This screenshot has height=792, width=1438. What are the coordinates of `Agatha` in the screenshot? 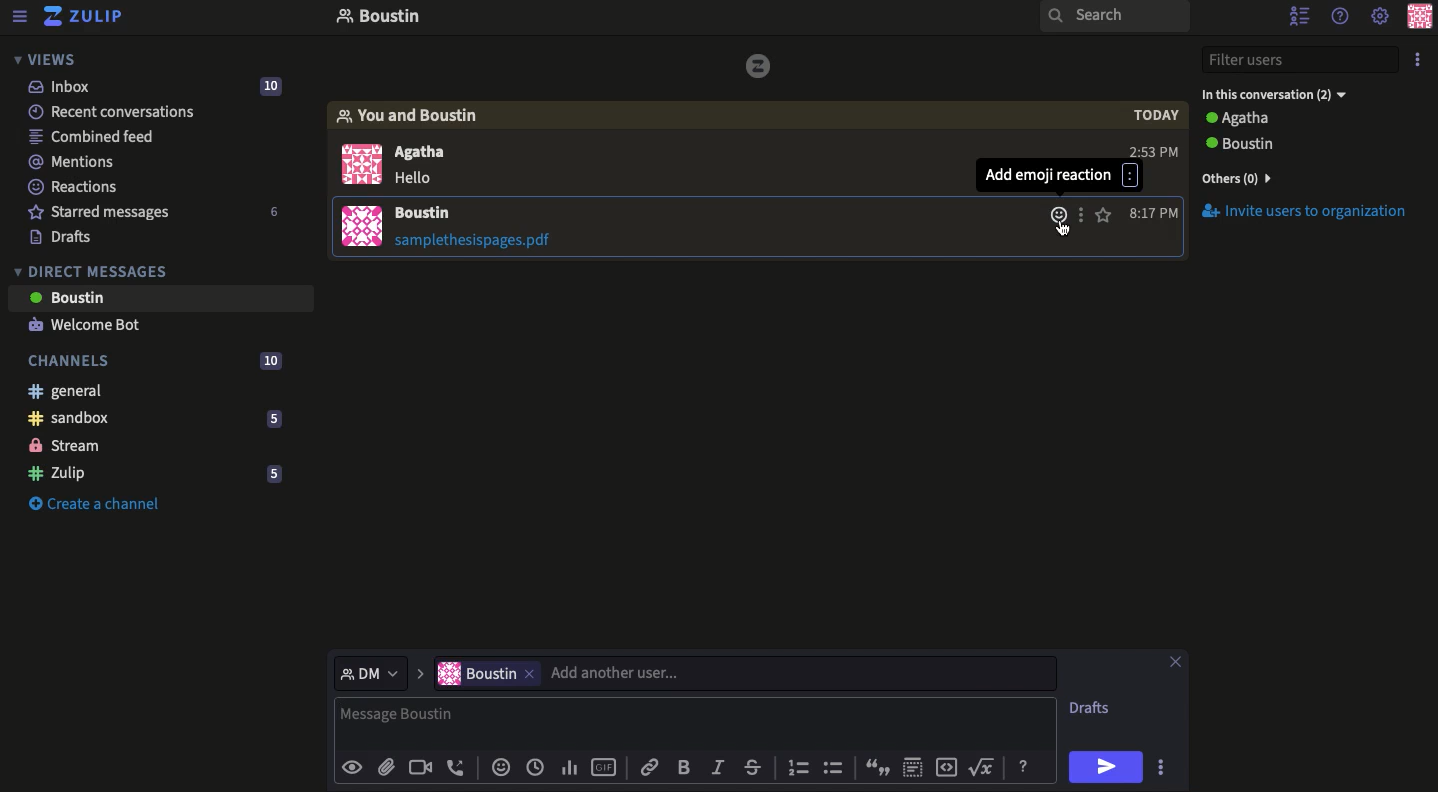 It's located at (420, 150).